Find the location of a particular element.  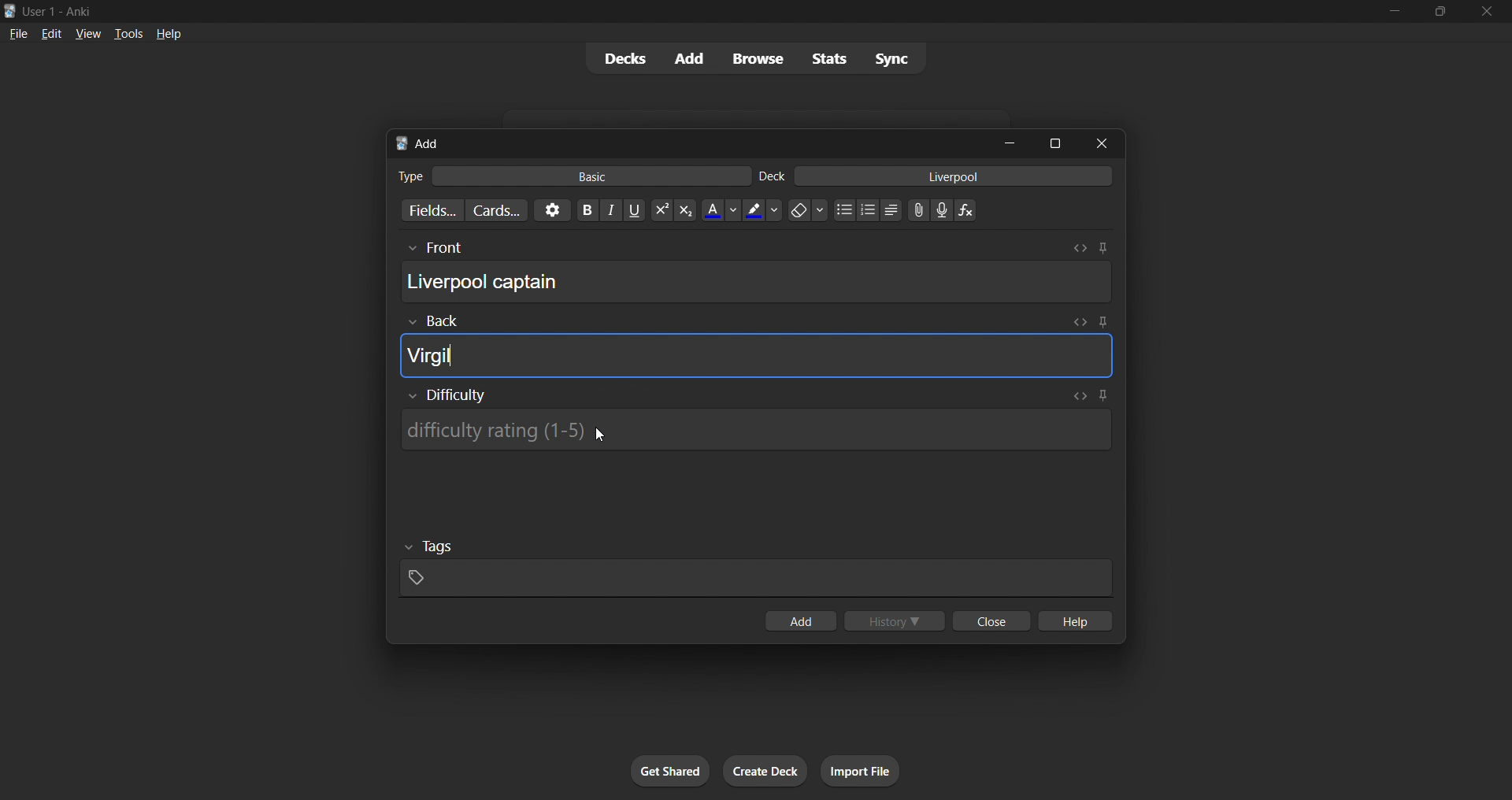

maximize/restore is located at coordinates (1440, 12).